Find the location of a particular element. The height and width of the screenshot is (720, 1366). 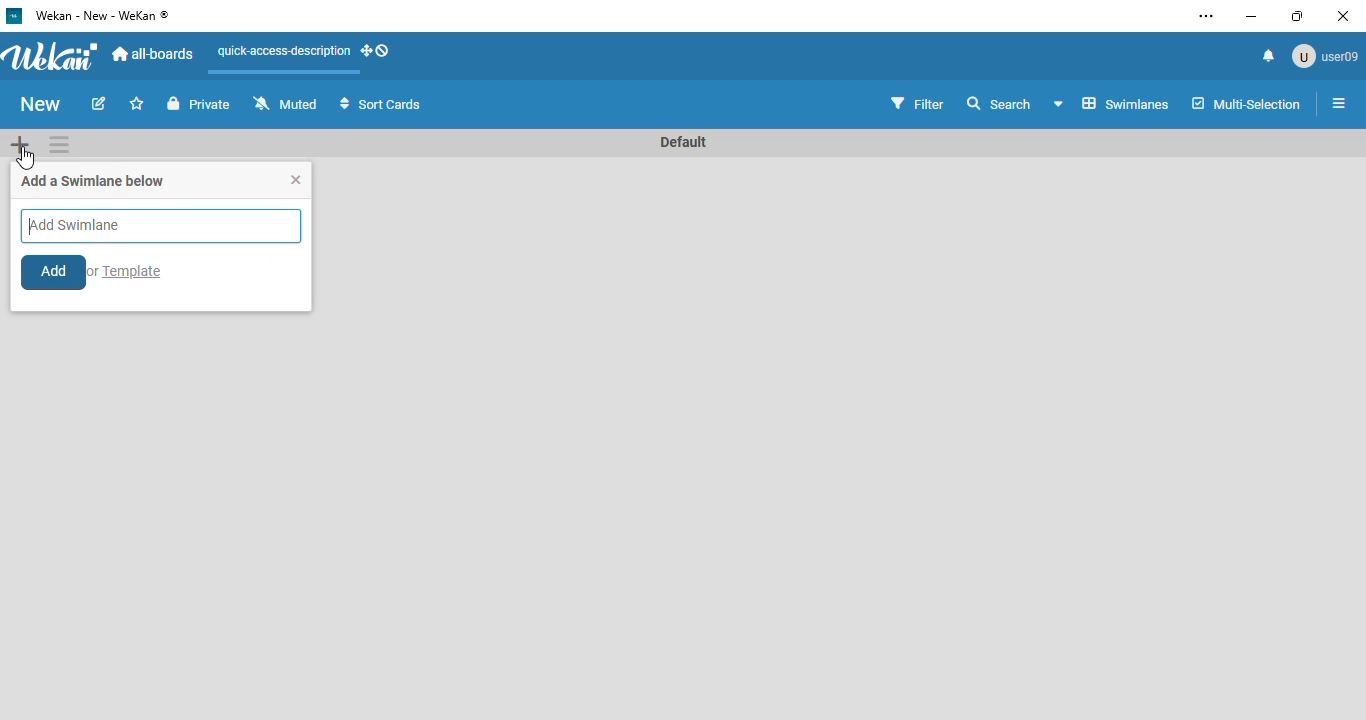

close is located at coordinates (1343, 16).